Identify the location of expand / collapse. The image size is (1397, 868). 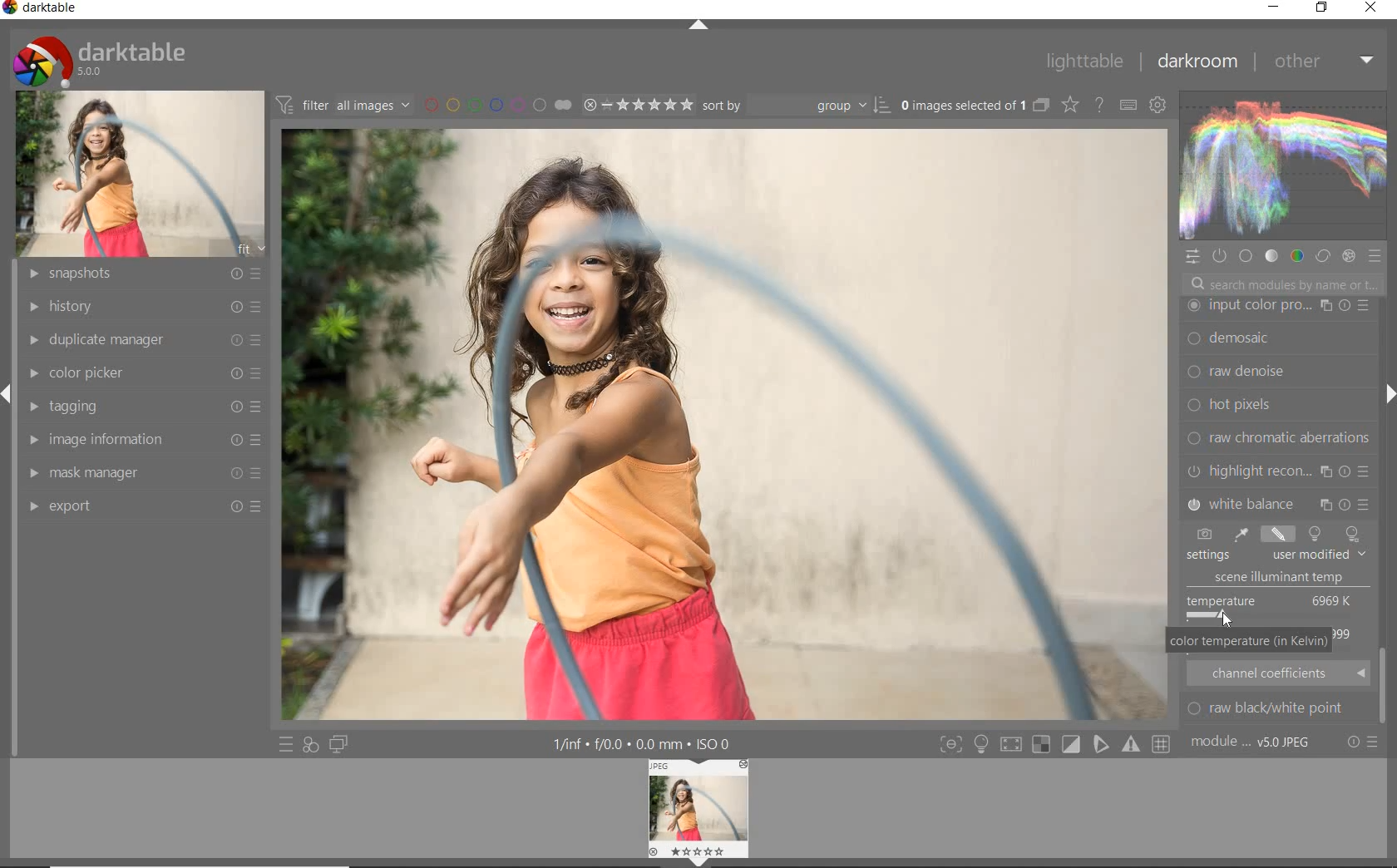
(697, 28).